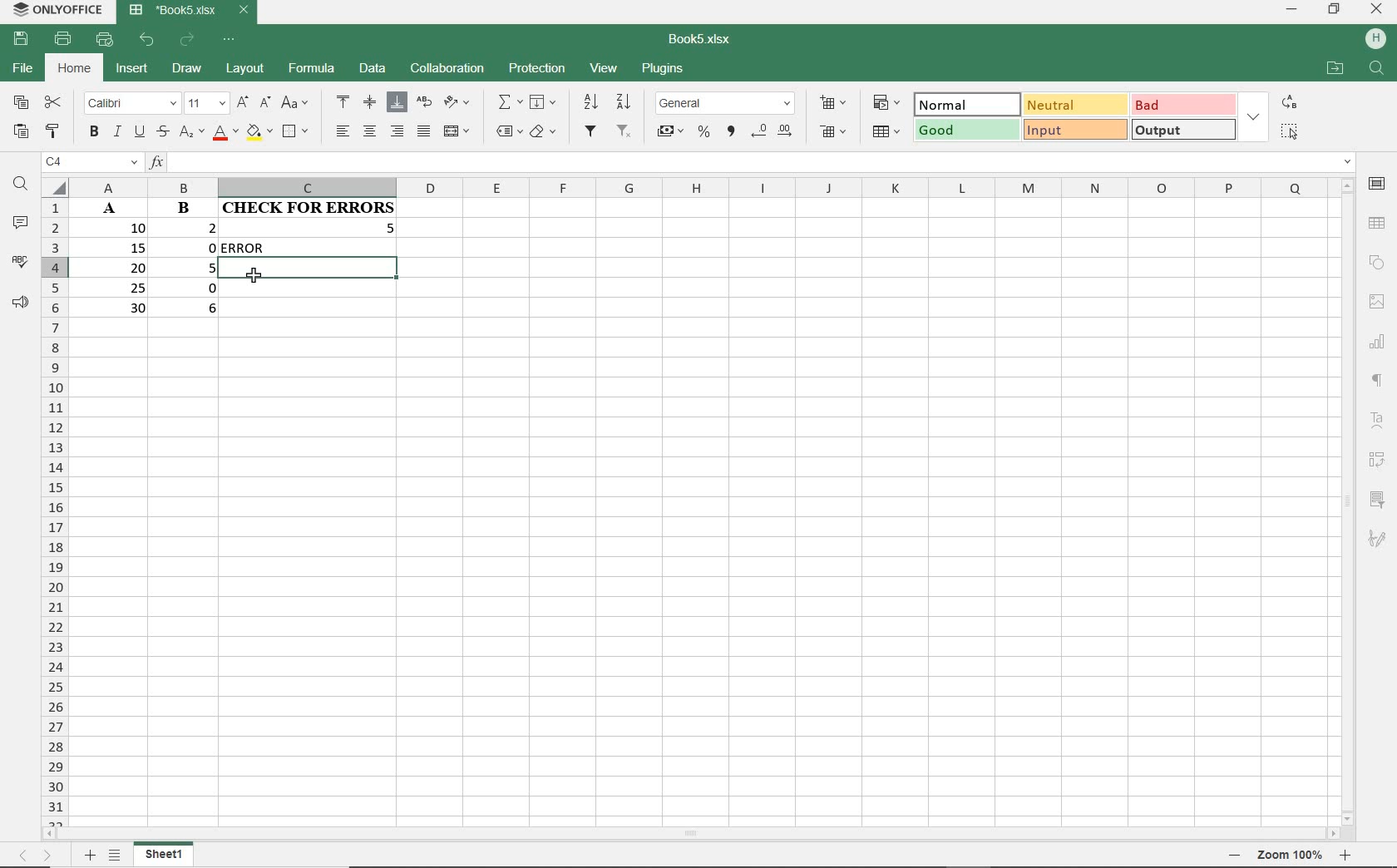 The height and width of the screenshot is (868, 1397). What do you see at coordinates (1291, 133) in the screenshot?
I see `SELECT ALL` at bounding box center [1291, 133].